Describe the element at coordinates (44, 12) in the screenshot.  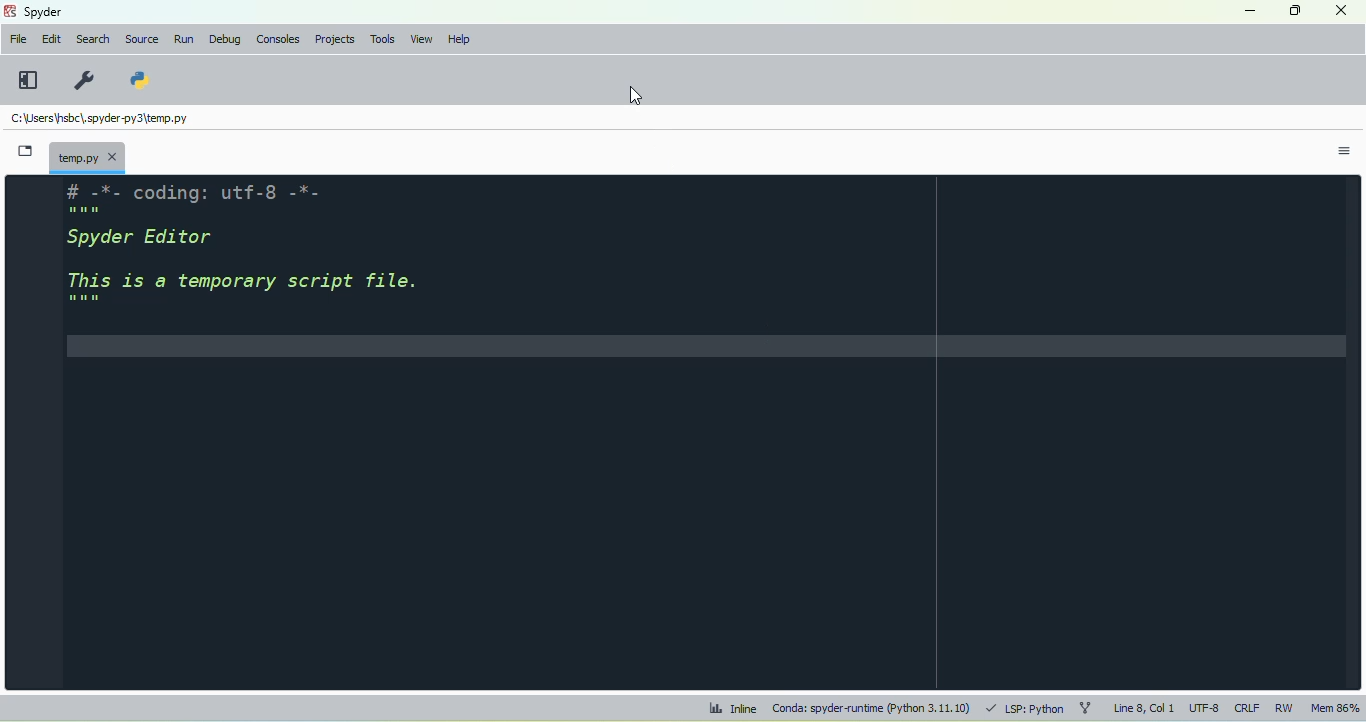
I see `spyder` at that location.